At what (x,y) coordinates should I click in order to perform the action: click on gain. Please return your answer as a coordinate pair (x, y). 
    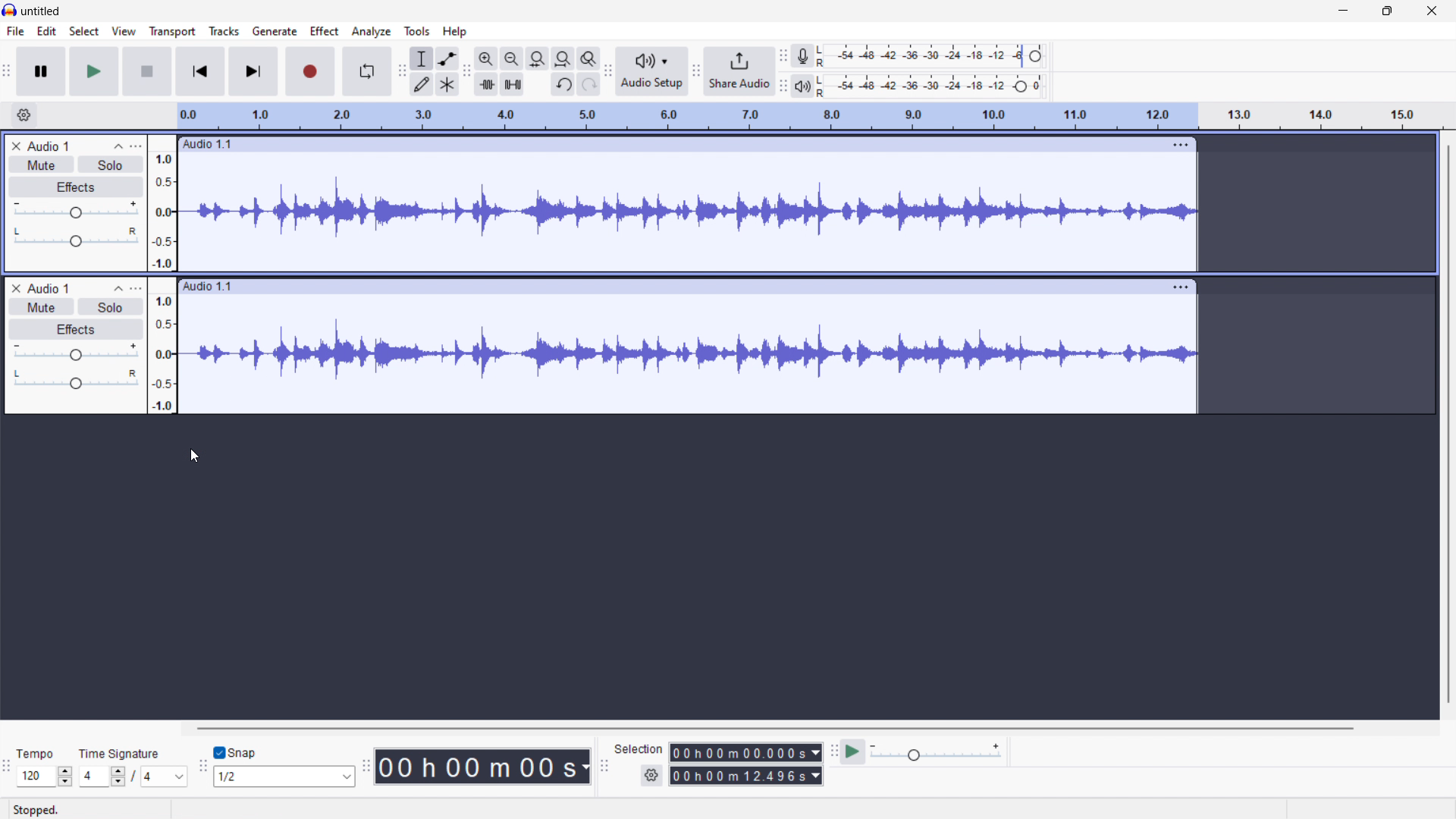
    Looking at the image, I should click on (75, 352).